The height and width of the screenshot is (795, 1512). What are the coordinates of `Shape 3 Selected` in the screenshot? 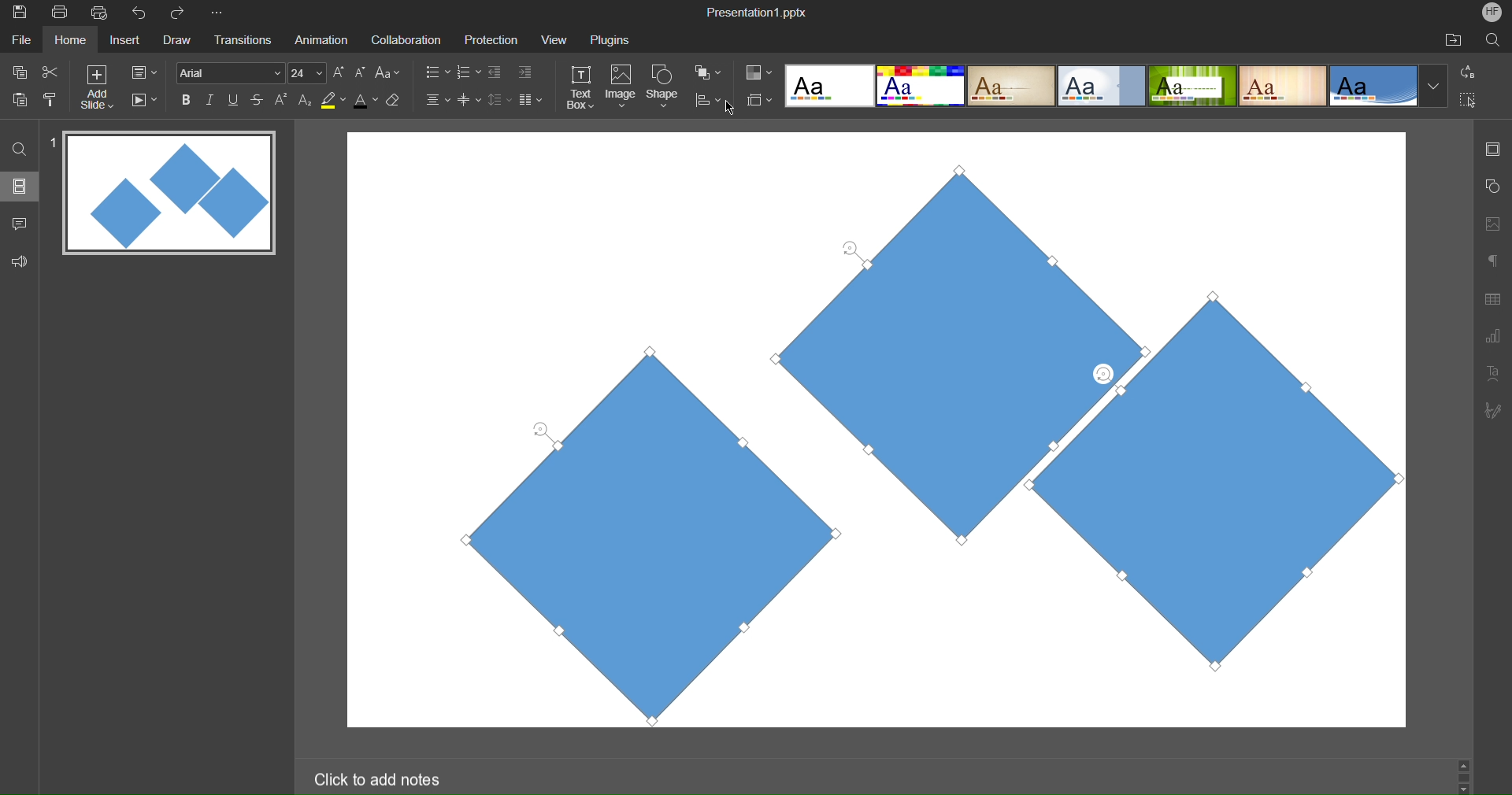 It's located at (1280, 534).